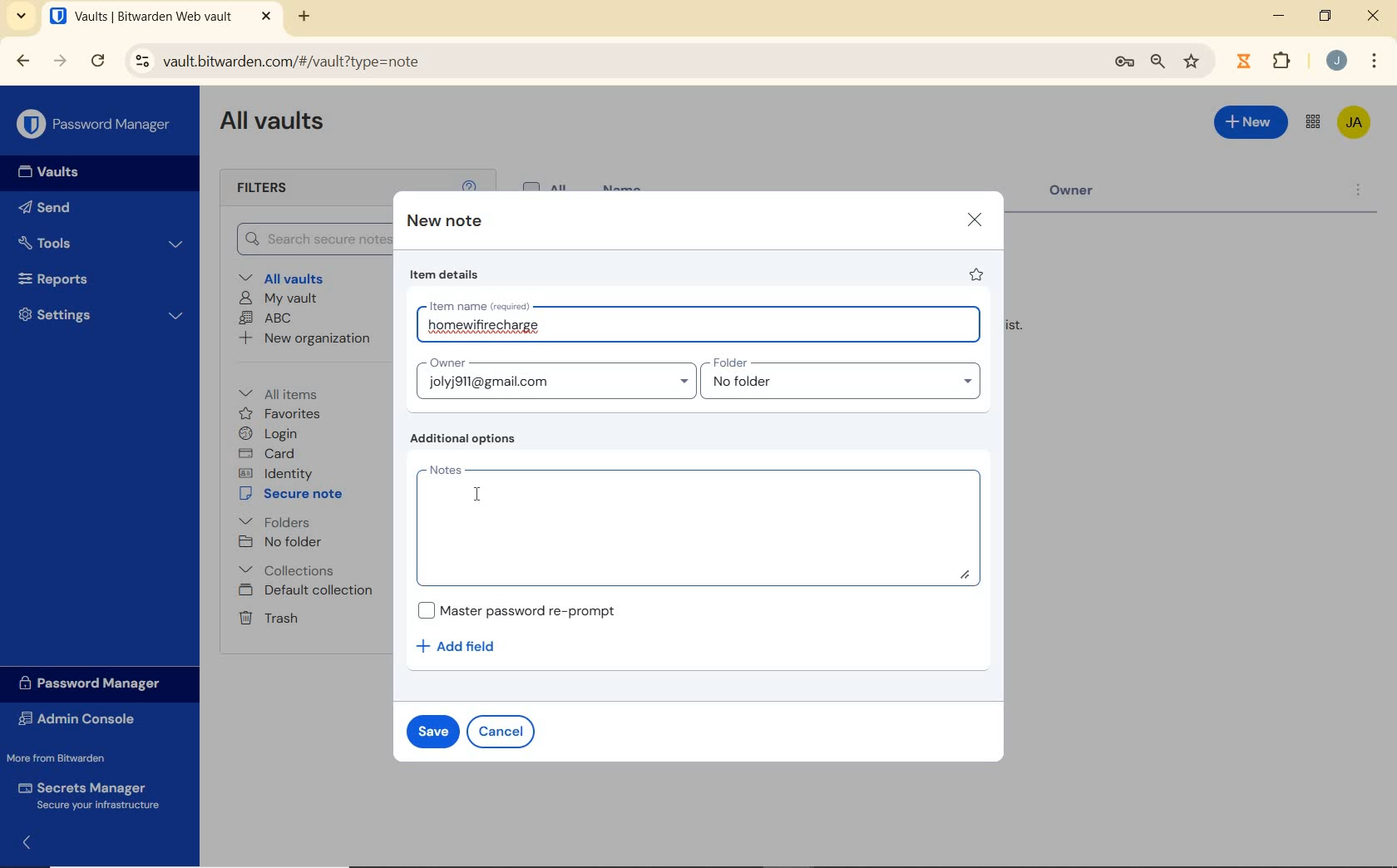  What do you see at coordinates (290, 392) in the screenshot?
I see `All items` at bounding box center [290, 392].